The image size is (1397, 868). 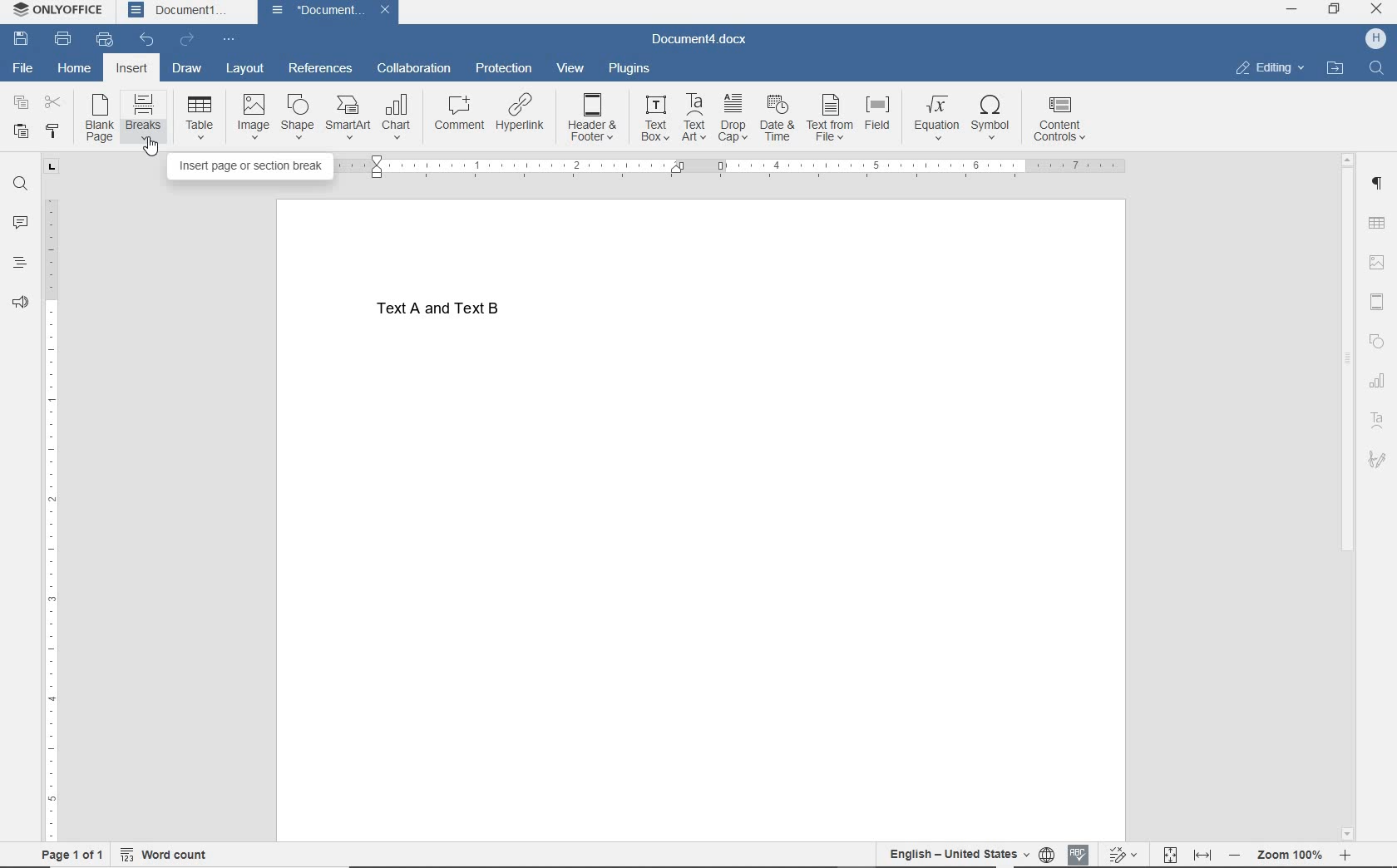 What do you see at coordinates (57, 131) in the screenshot?
I see `COPY STYLE` at bounding box center [57, 131].